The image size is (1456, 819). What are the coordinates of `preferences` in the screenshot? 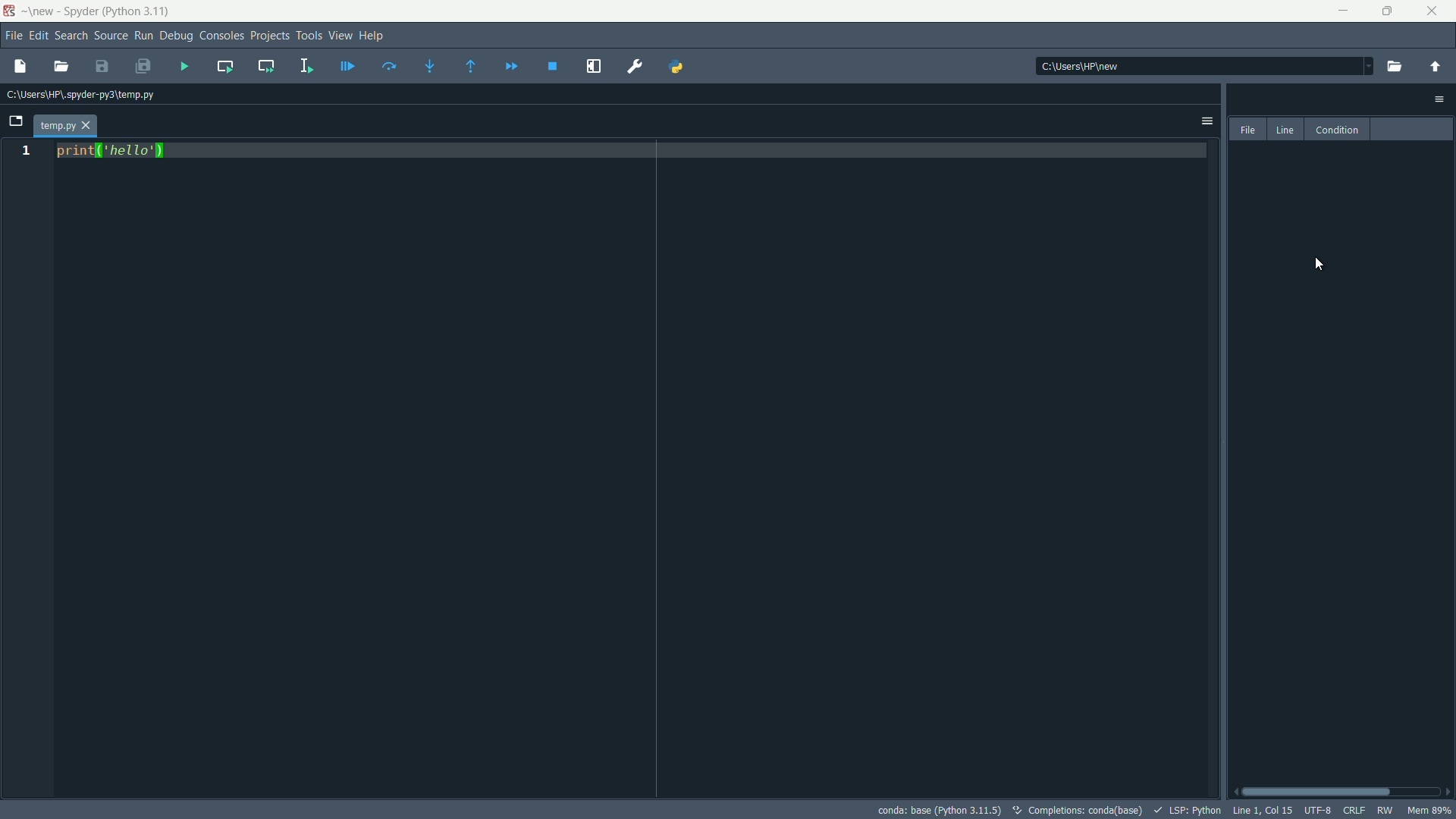 It's located at (635, 67).